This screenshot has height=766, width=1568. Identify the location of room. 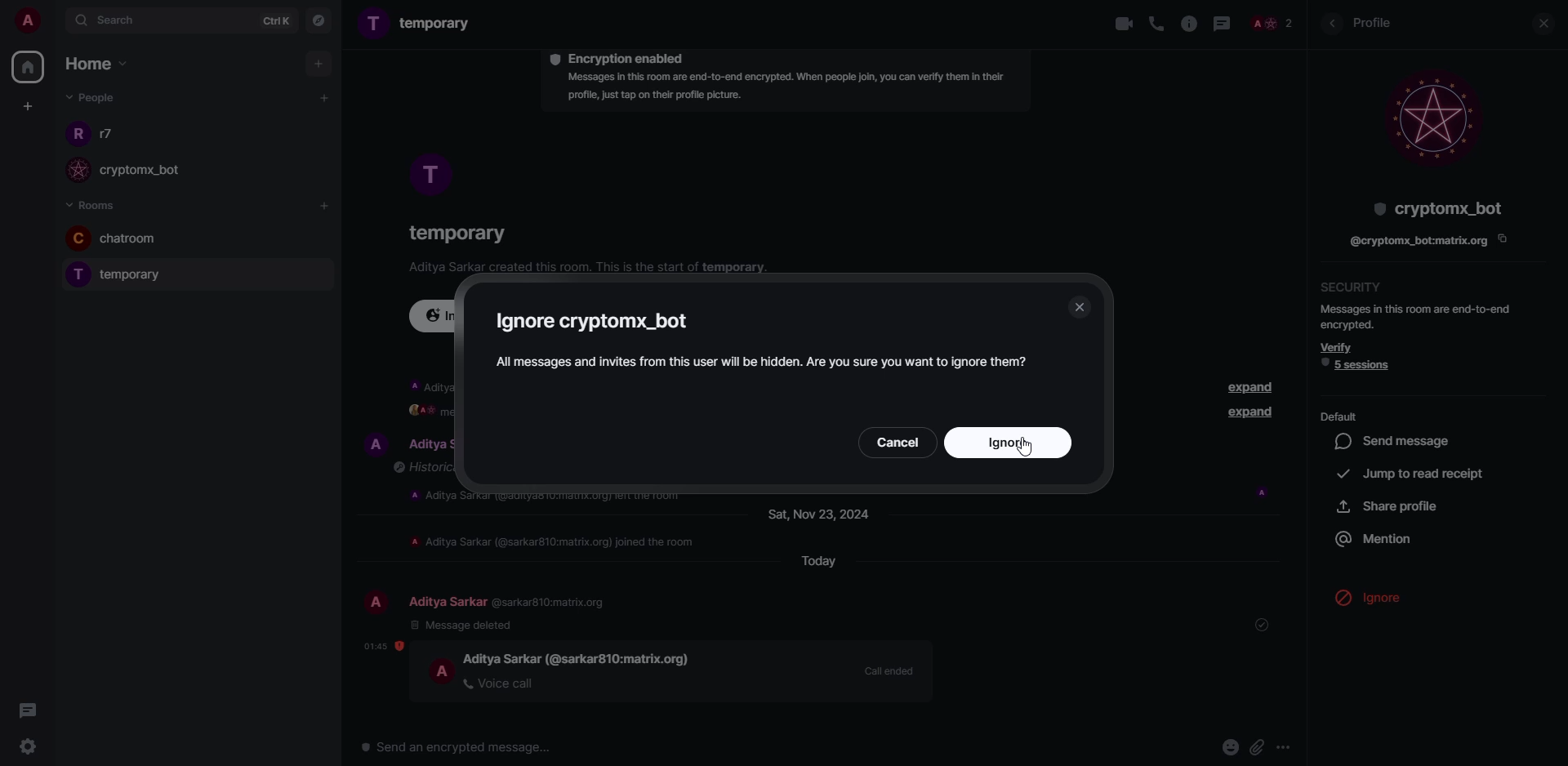
(418, 24).